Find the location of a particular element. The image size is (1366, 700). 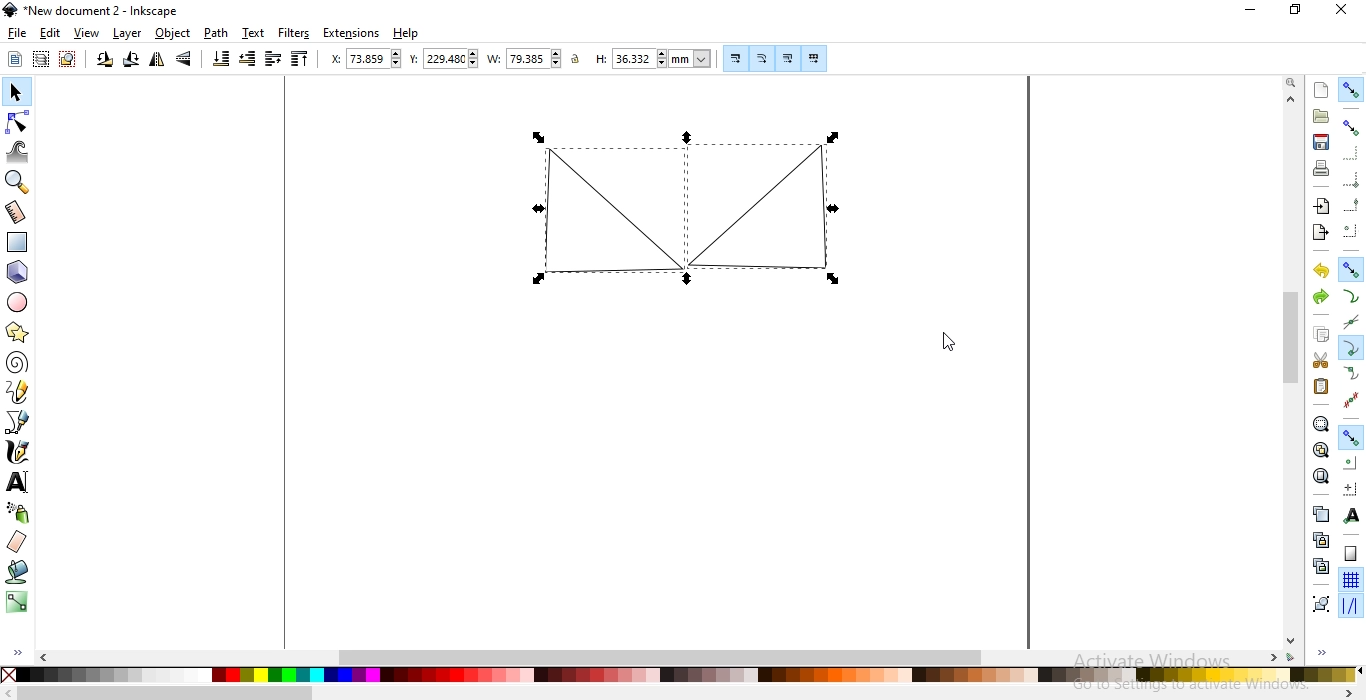

object image is located at coordinates (596, 208).